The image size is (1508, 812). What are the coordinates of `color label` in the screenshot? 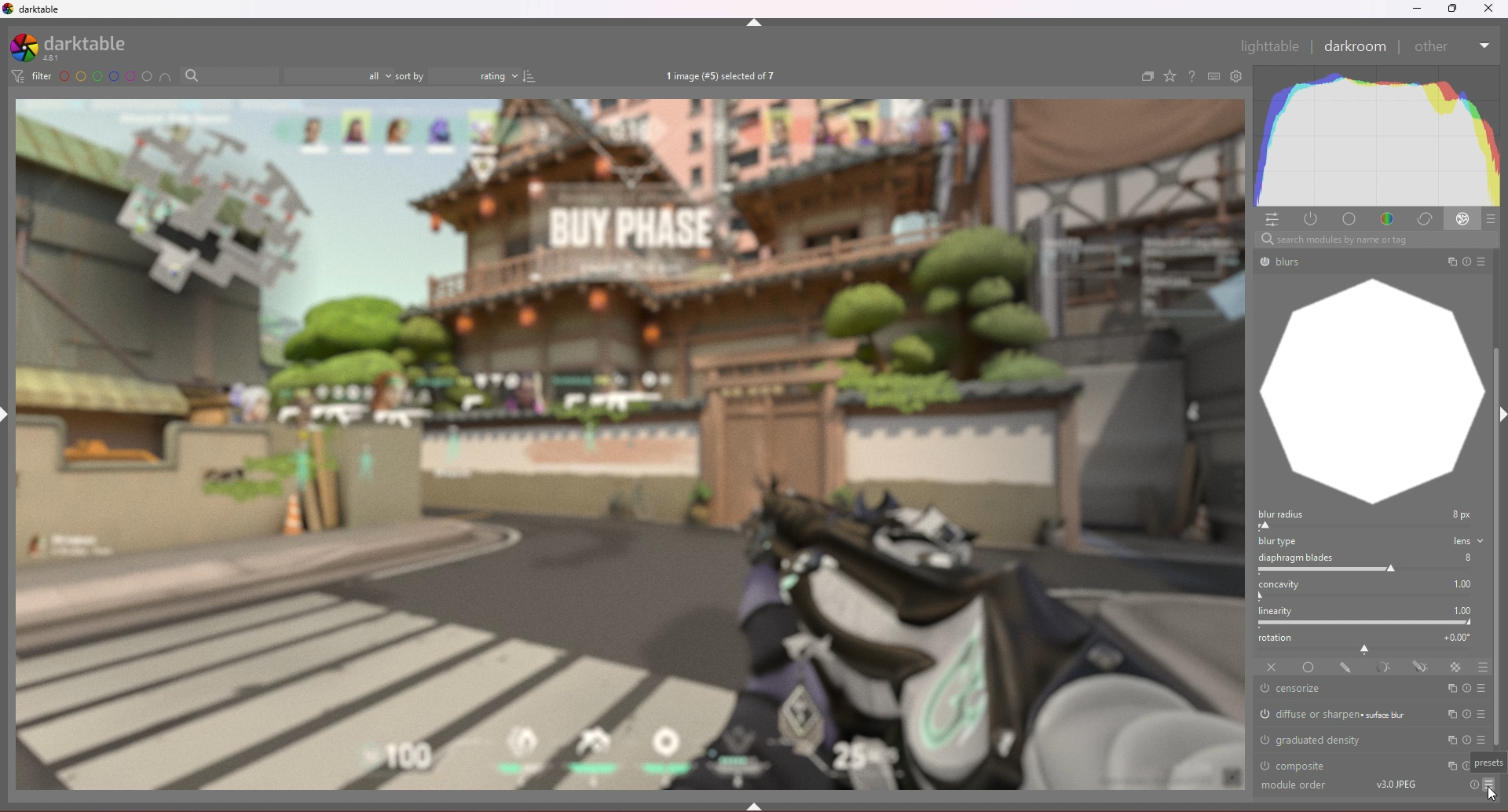 It's located at (105, 75).